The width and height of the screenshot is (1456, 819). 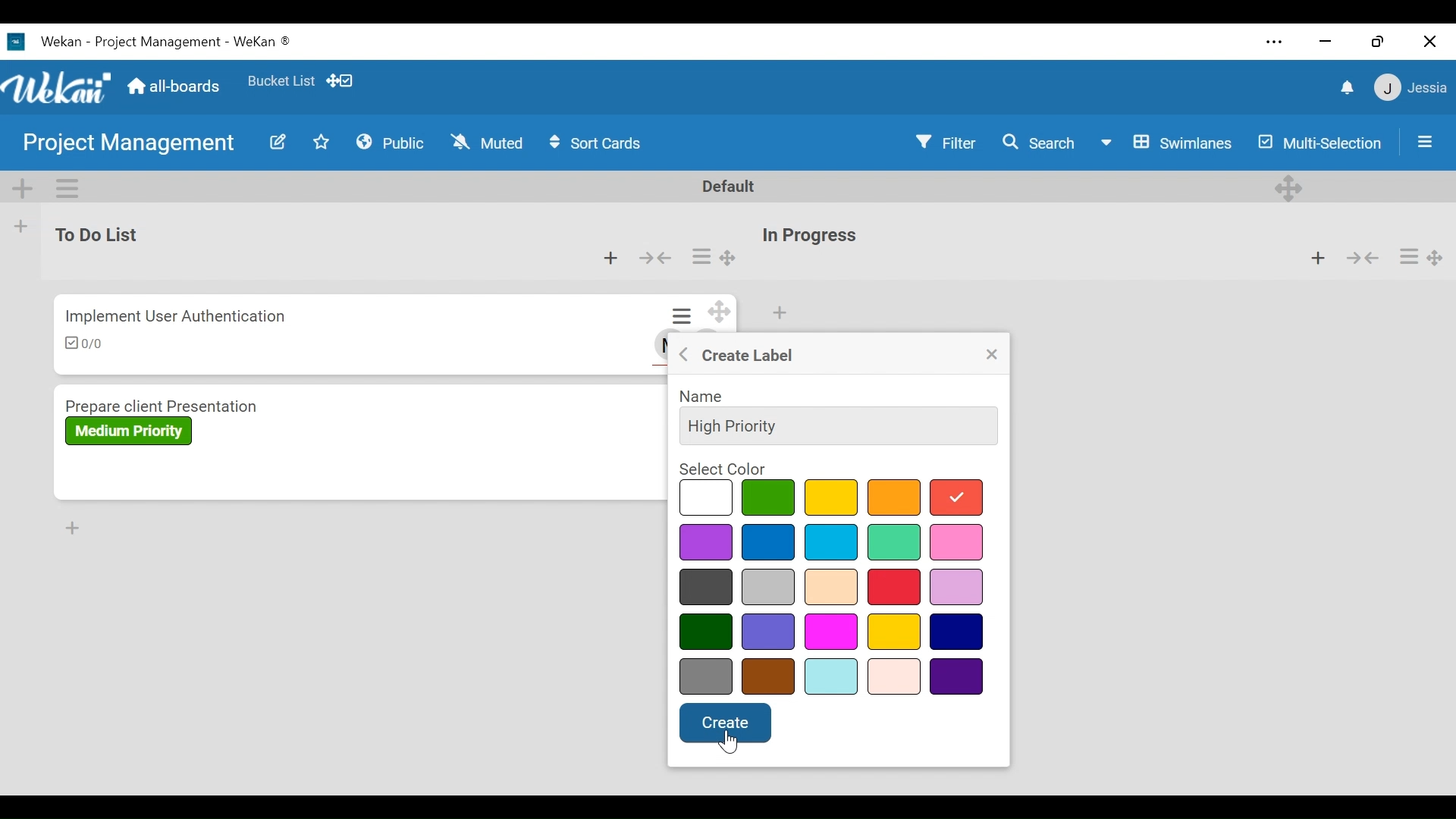 What do you see at coordinates (1411, 87) in the screenshot?
I see `Member Settings` at bounding box center [1411, 87].